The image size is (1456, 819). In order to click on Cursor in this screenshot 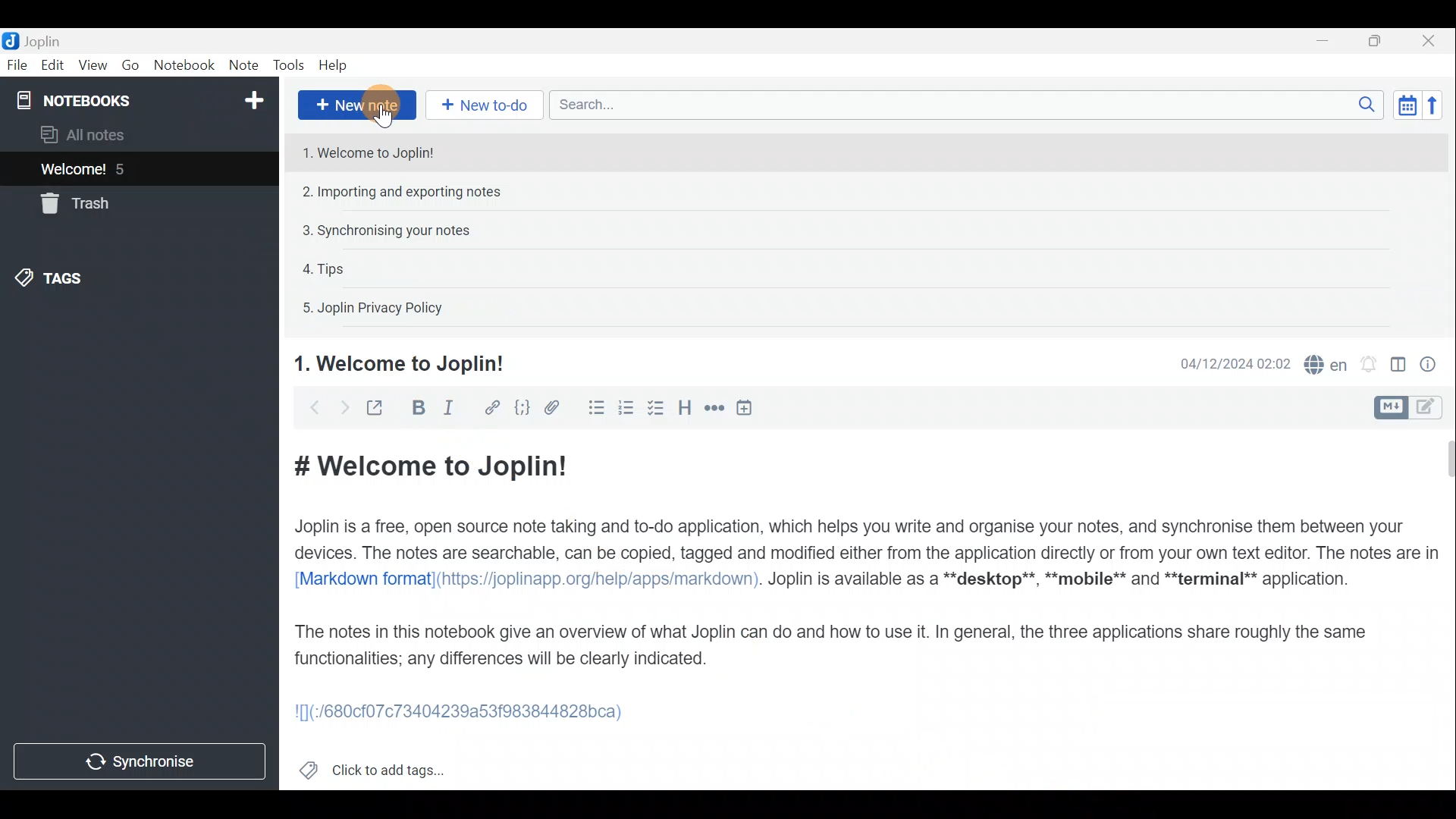, I will do `click(386, 119)`.